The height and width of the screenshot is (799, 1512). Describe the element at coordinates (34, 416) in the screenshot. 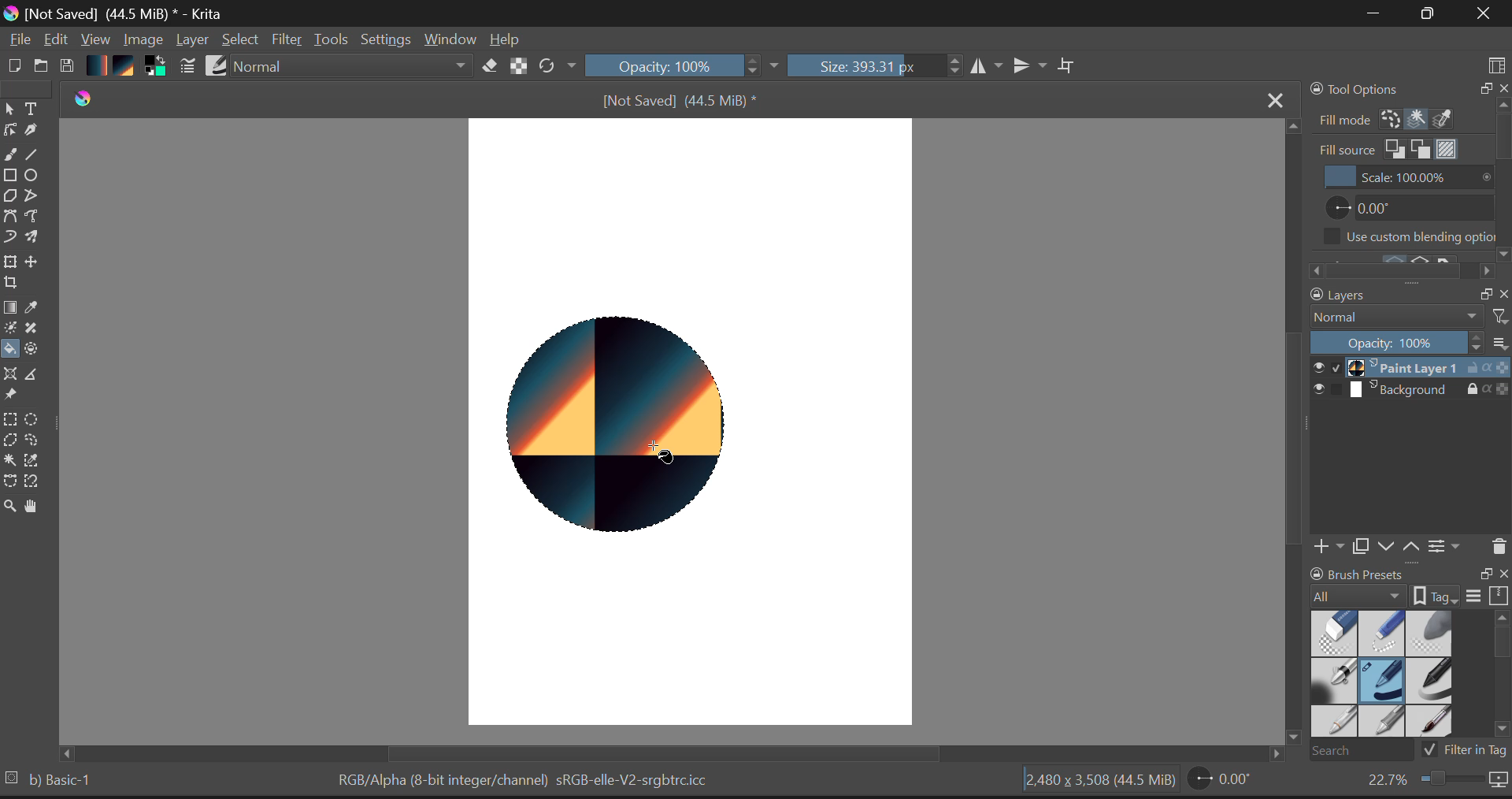

I see `Circular Selection Selected` at that location.